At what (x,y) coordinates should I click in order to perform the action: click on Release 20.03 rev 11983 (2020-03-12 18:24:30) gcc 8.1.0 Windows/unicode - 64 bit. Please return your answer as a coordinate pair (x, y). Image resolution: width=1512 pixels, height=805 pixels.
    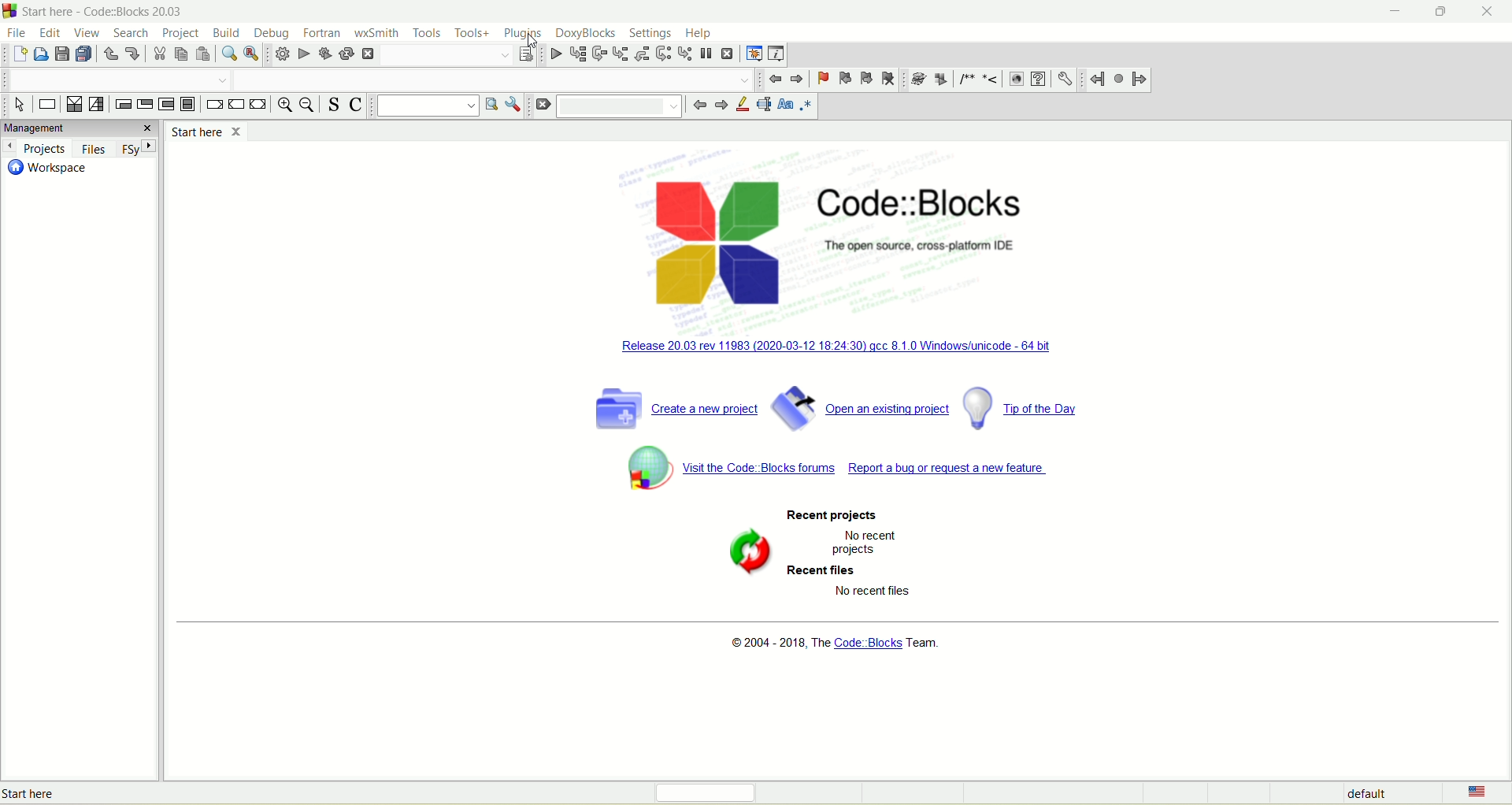
    Looking at the image, I should click on (836, 344).